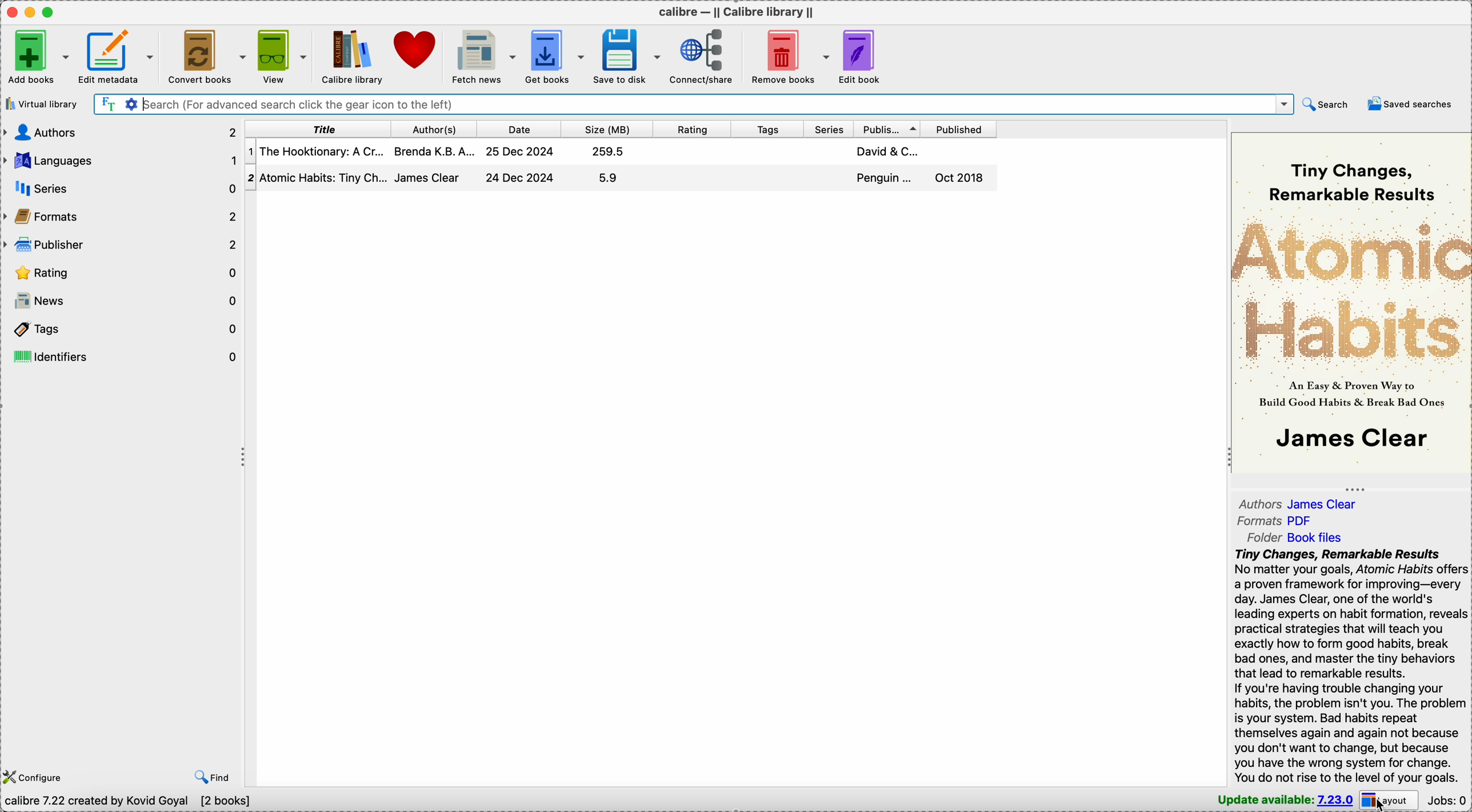 This screenshot has height=812, width=1472. What do you see at coordinates (863, 55) in the screenshot?
I see `edit book` at bounding box center [863, 55].